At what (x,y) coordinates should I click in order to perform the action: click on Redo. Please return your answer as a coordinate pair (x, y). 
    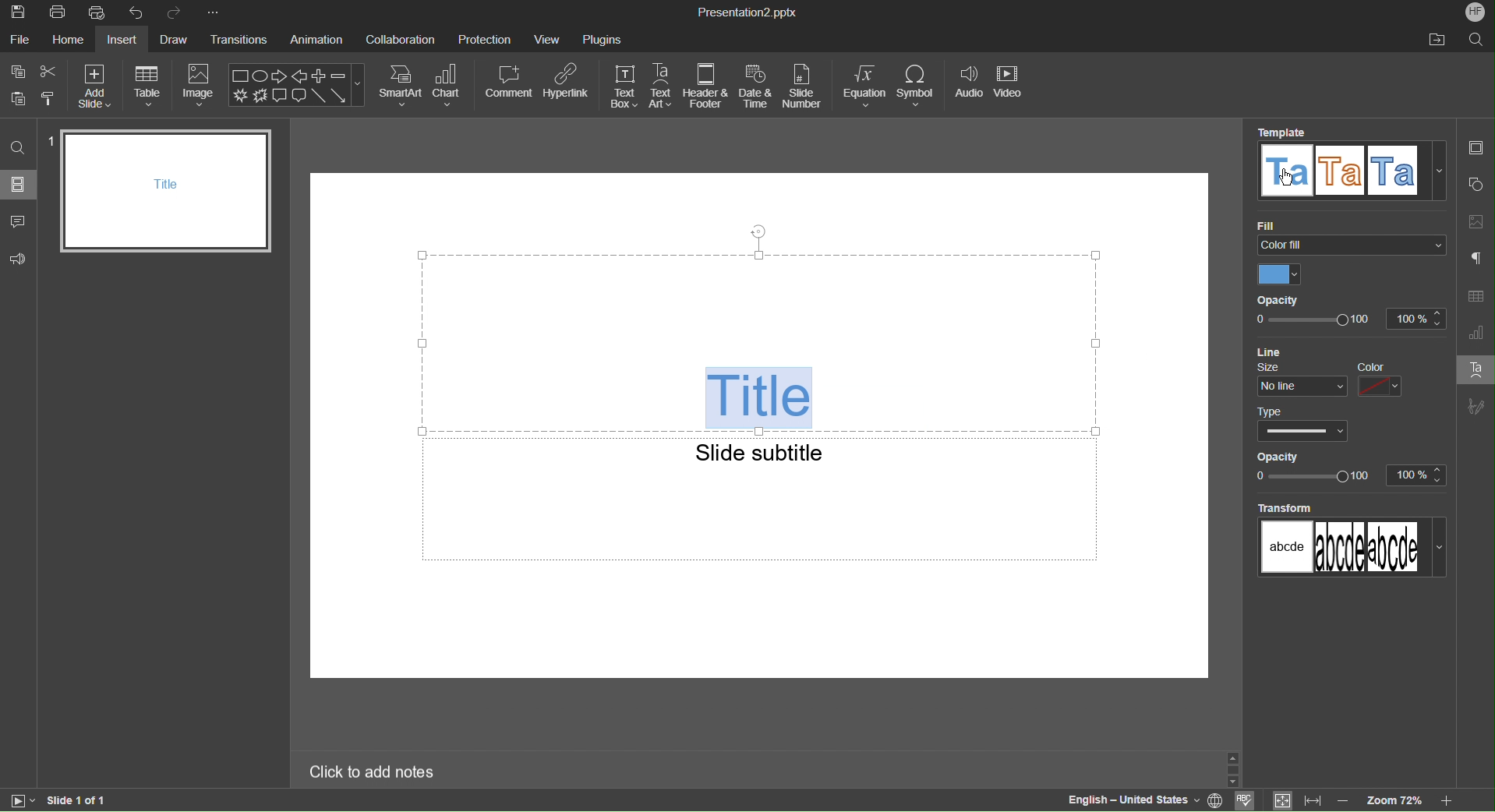
    Looking at the image, I should click on (176, 12).